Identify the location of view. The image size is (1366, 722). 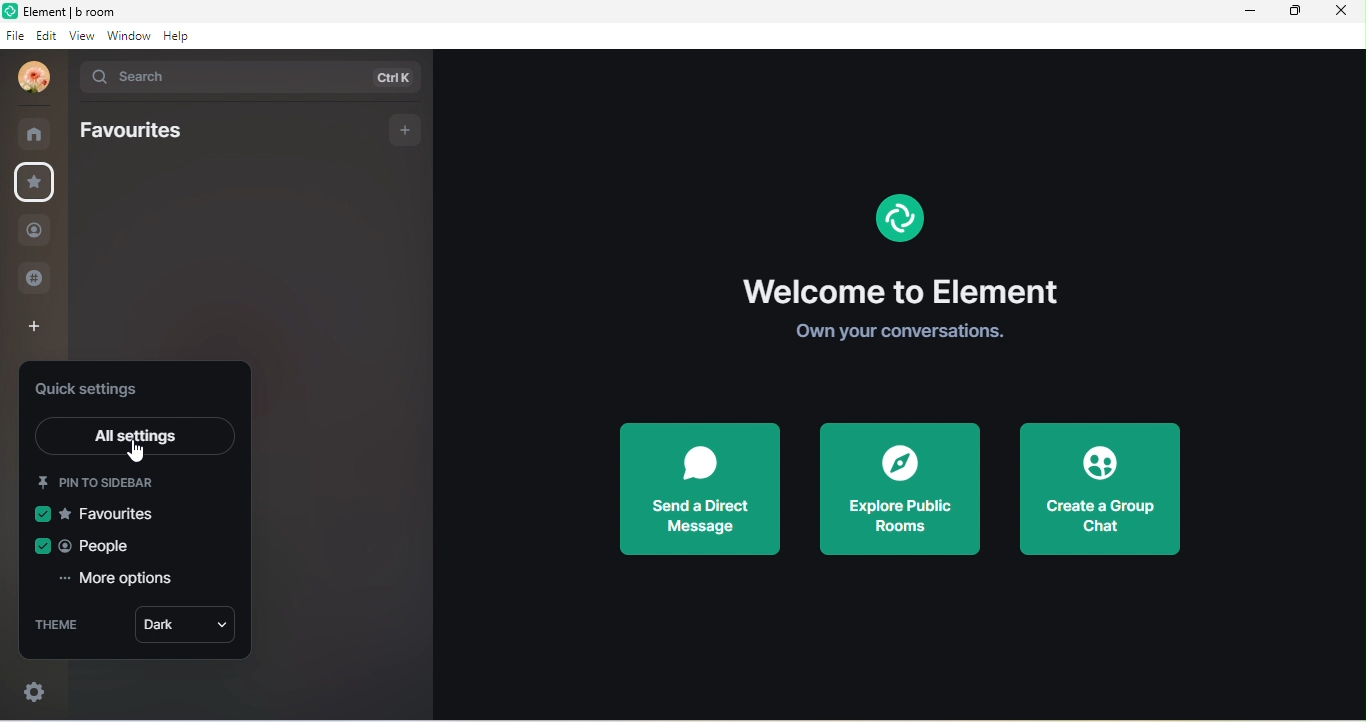
(85, 37).